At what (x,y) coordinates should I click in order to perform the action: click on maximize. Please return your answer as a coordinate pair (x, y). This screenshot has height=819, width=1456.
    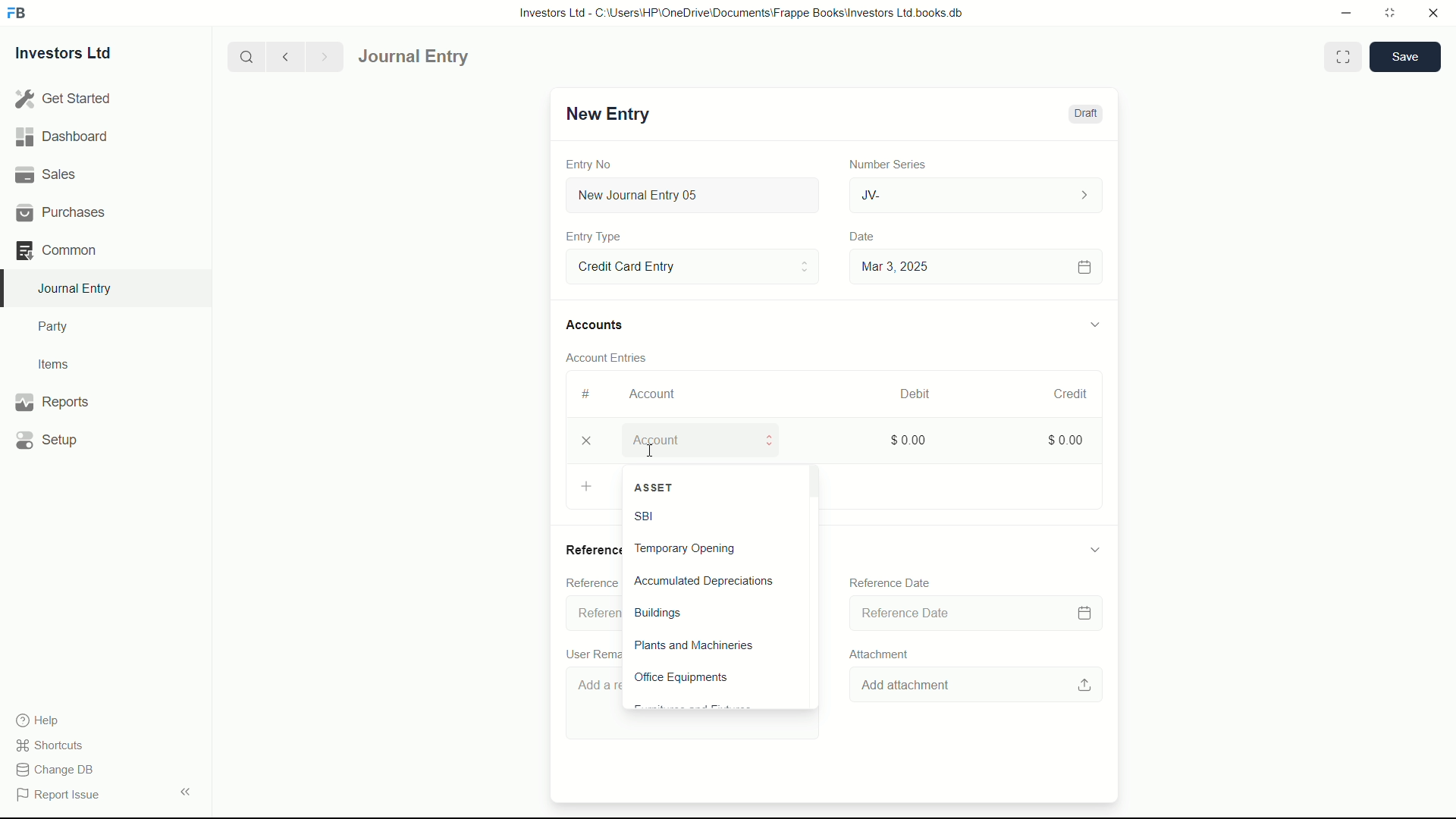
    Looking at the image, I should click on (1389, 11).